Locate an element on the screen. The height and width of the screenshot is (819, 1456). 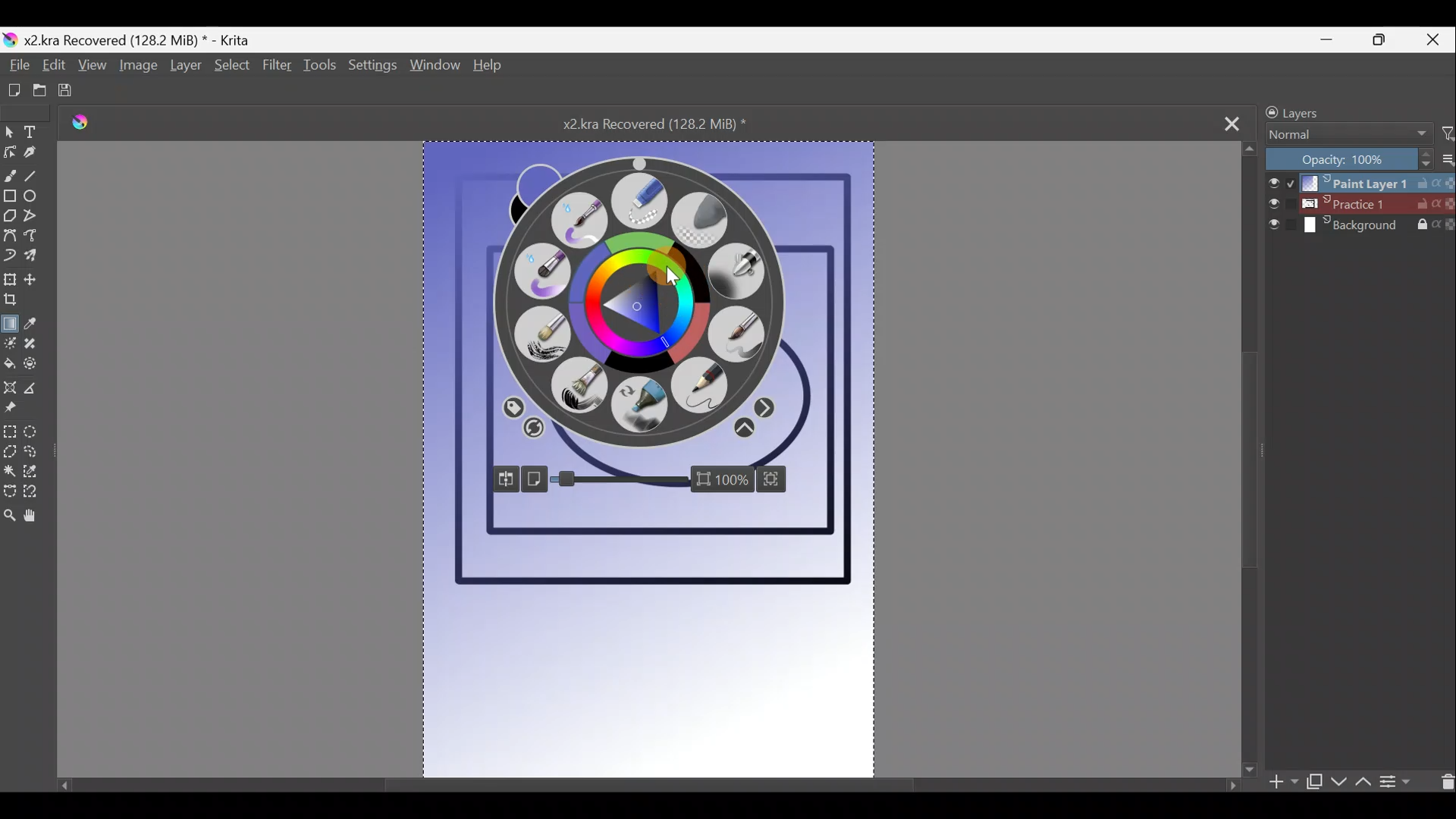
Document name is located at coordinates (670, 123).